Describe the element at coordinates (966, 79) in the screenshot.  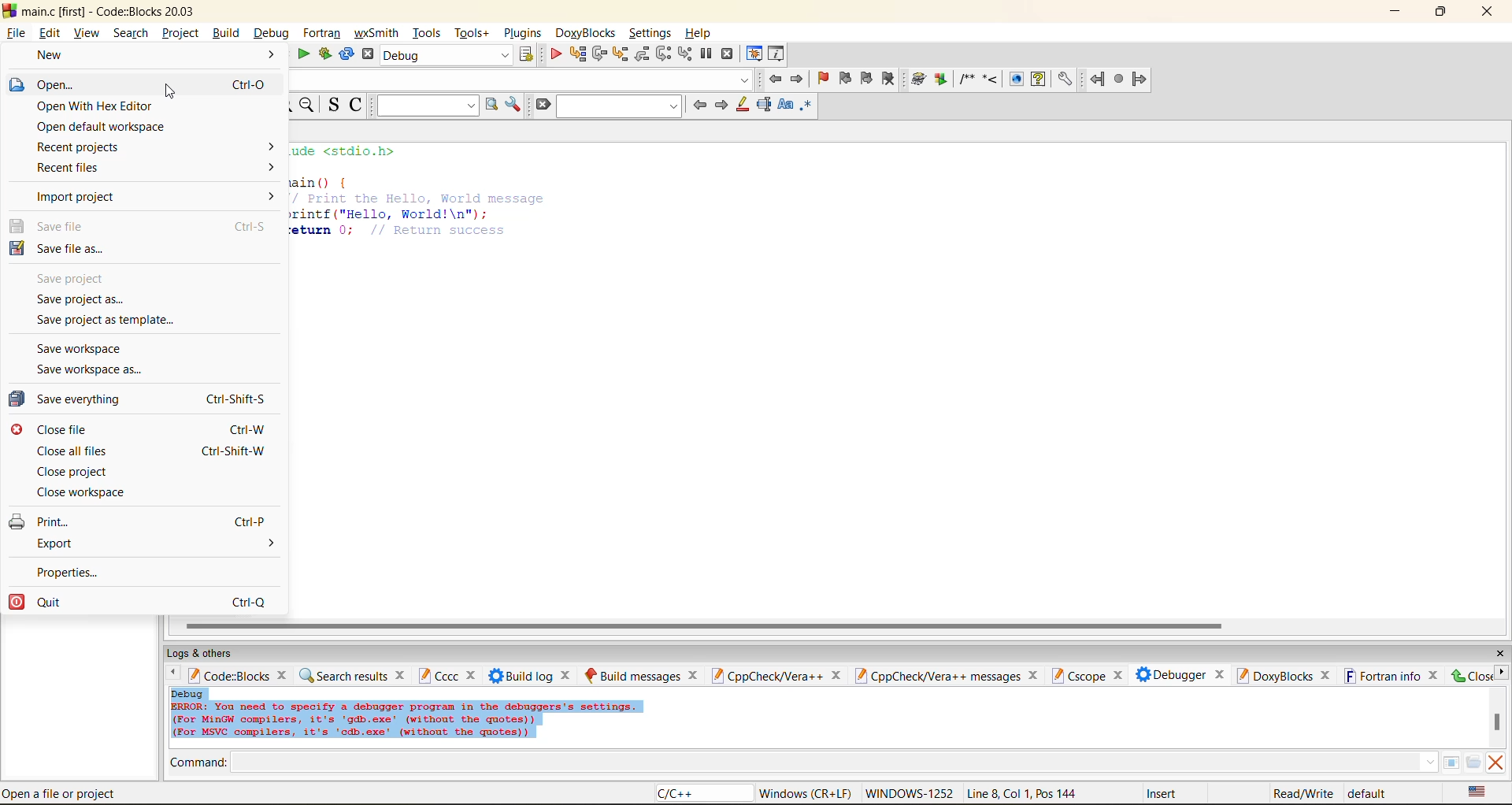
I see `comment` at that location.